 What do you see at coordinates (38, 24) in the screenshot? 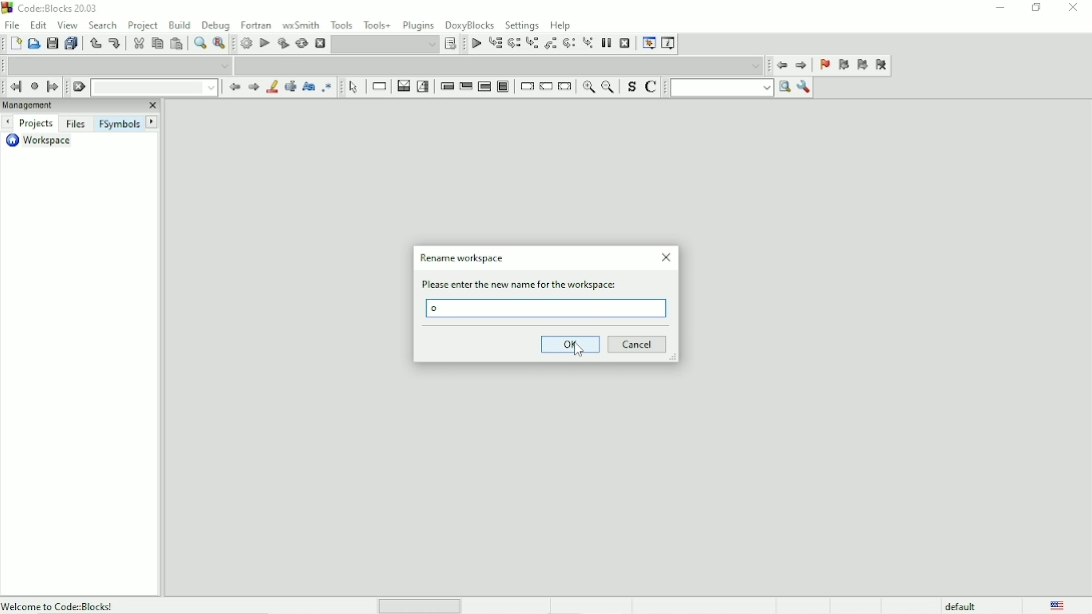
I see `Edit` at bounding box center [38, 24].